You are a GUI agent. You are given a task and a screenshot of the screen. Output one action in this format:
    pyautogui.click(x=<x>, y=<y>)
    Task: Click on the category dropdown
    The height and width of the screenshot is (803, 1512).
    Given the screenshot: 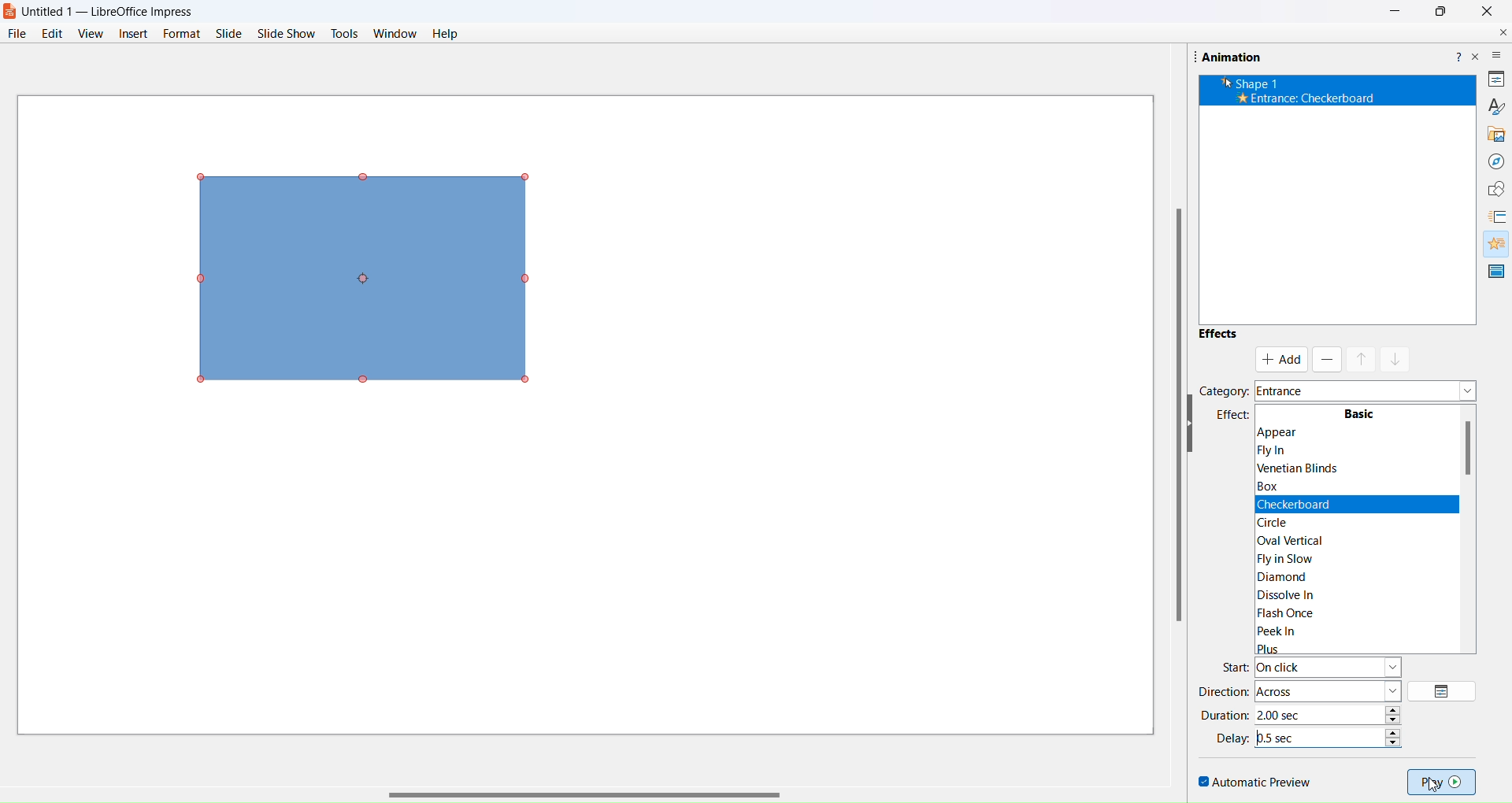 What is the action you would take?
    pyautogui.click(x=1367, y=392)
    